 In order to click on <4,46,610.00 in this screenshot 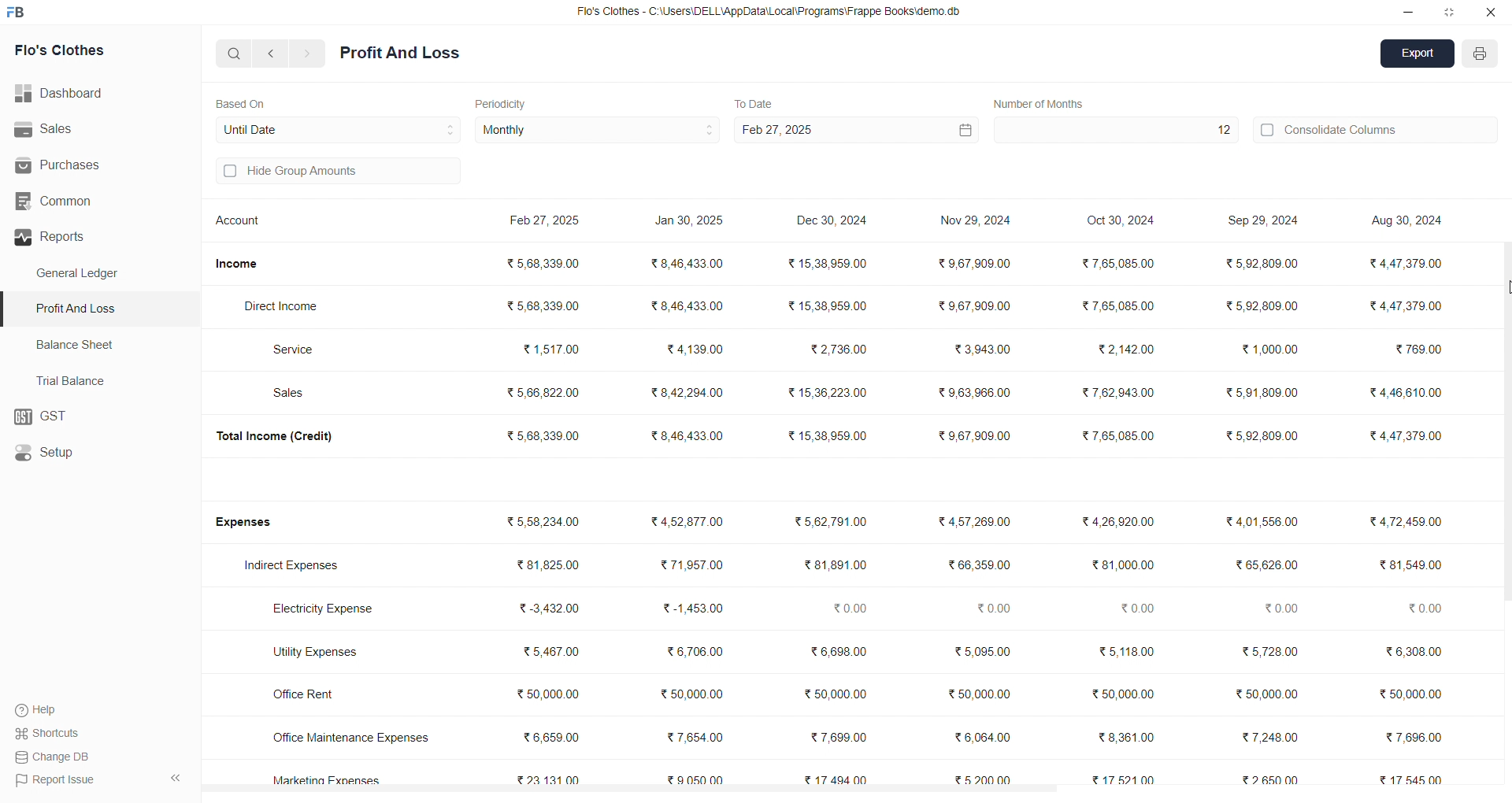, I will do `click(1398, 393)`.